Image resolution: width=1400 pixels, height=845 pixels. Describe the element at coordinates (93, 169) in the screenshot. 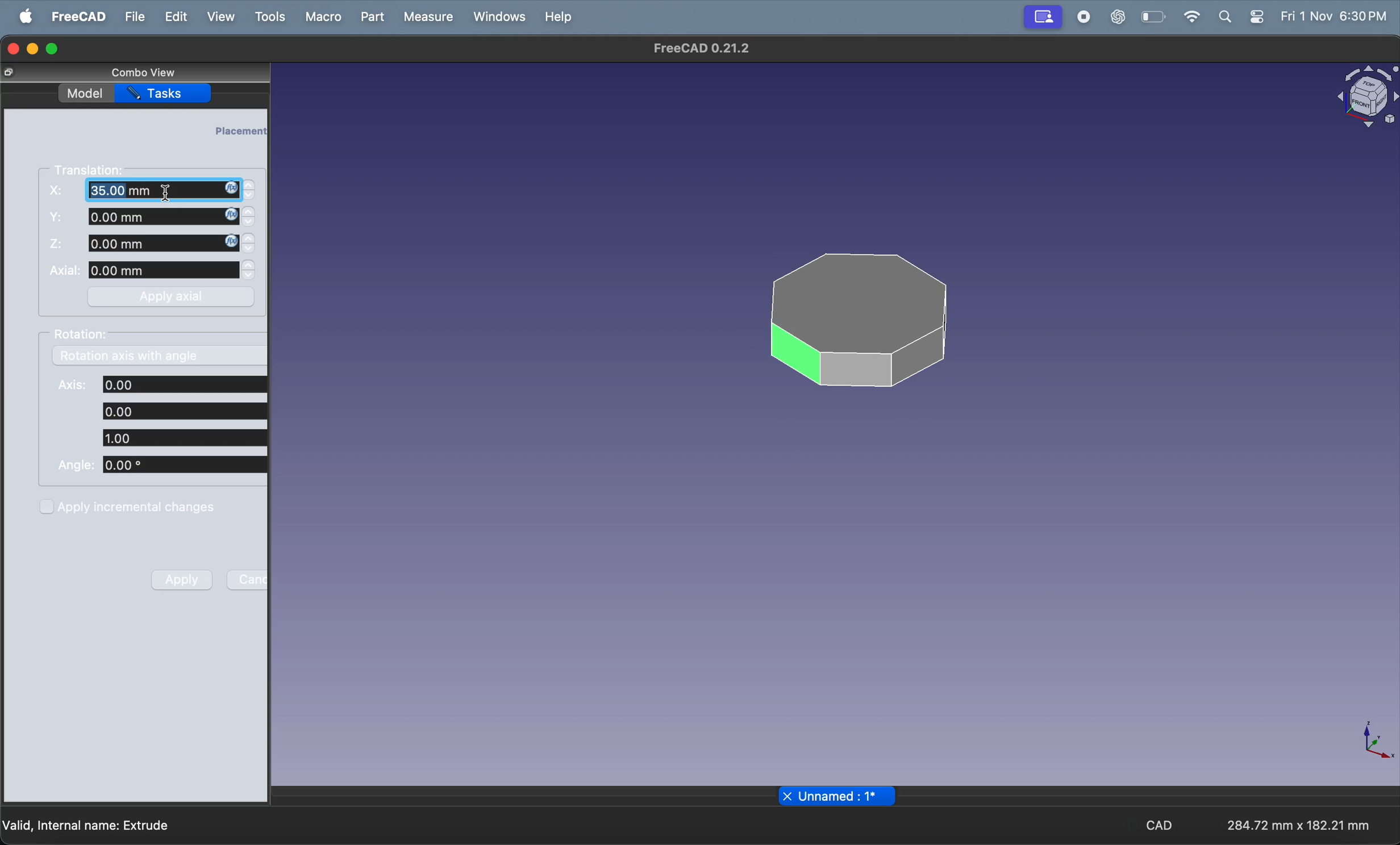

I see `translation` at that location.